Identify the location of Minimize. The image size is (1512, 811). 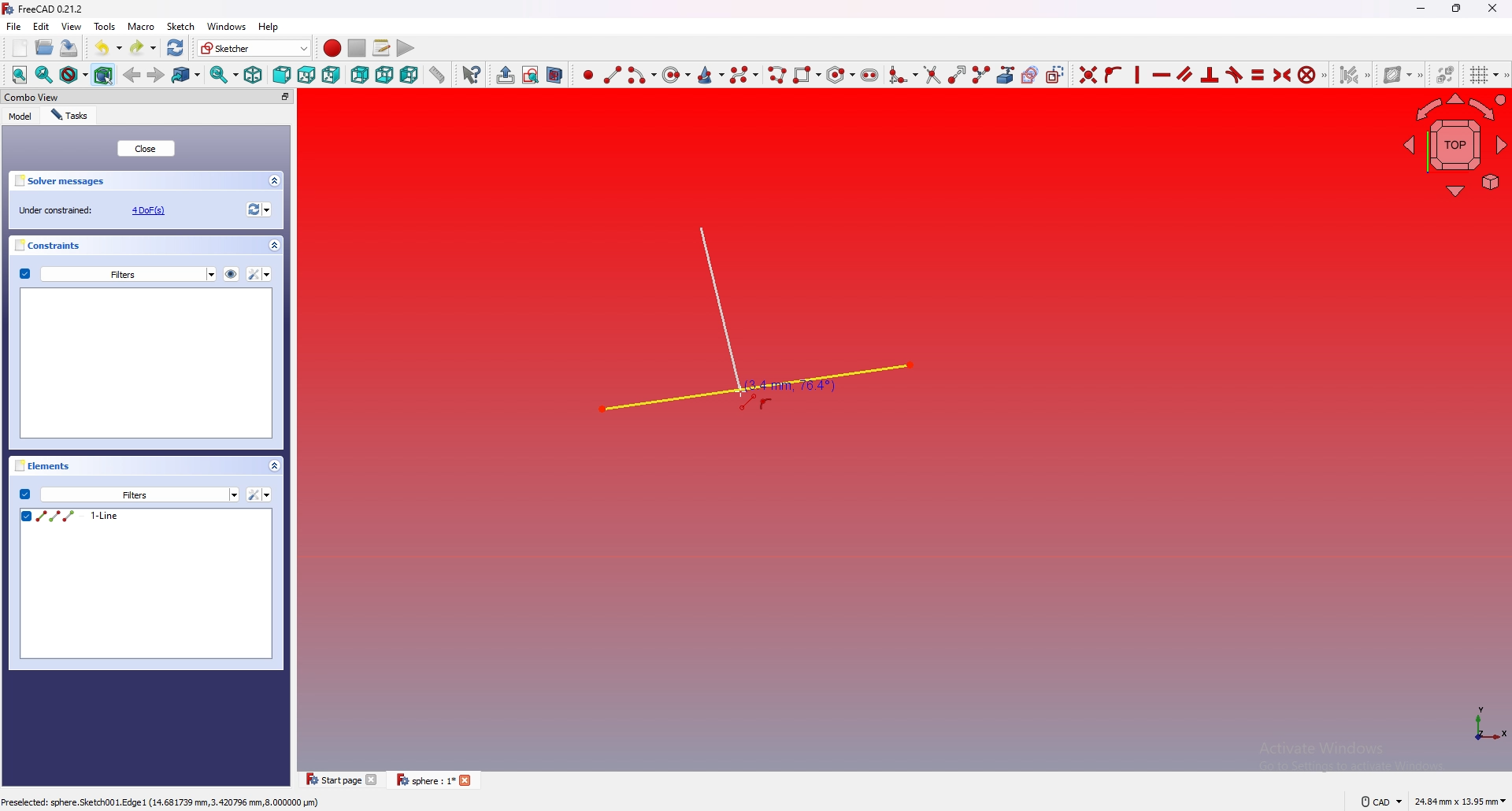
(1418, 10).